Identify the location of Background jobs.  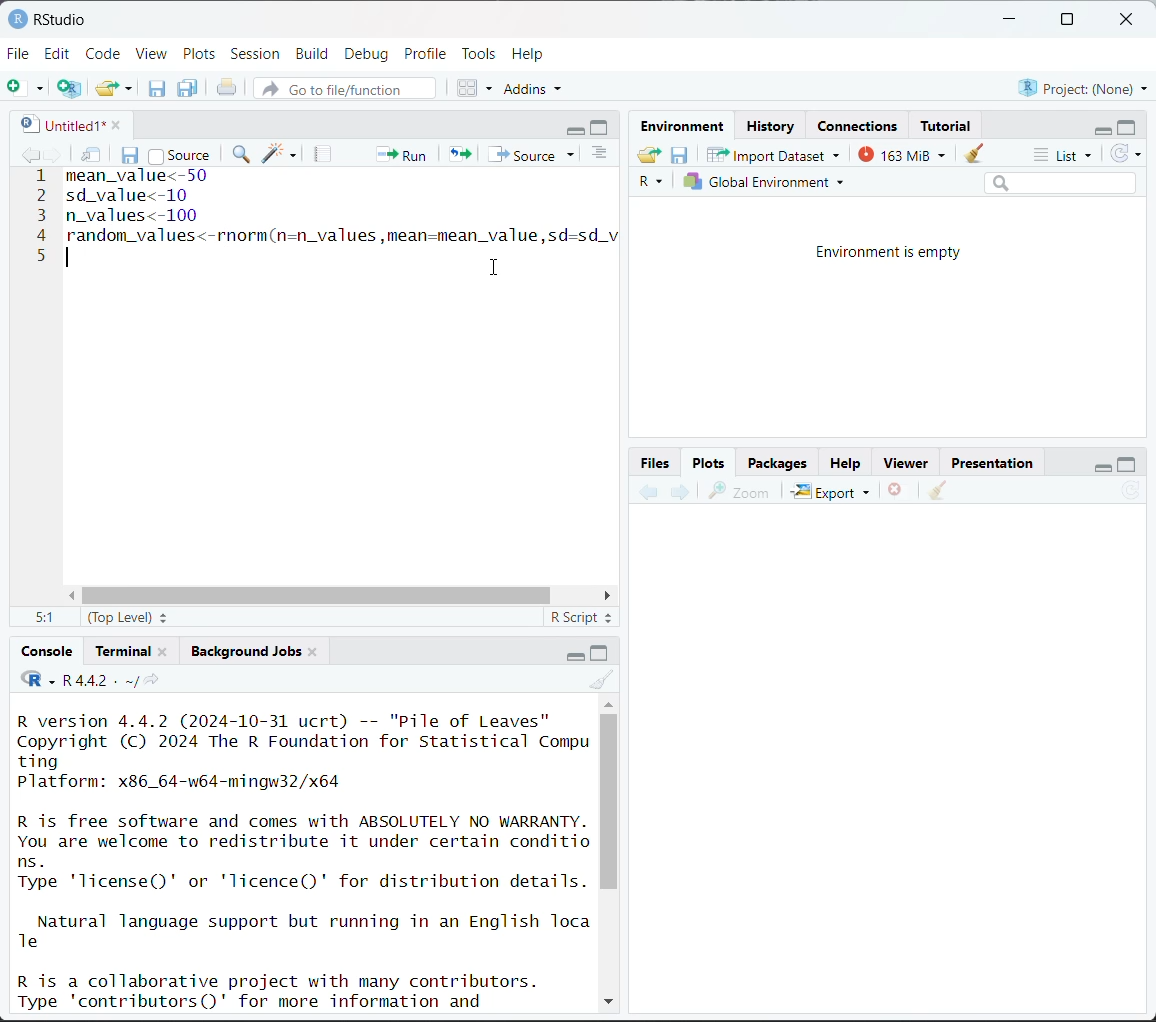
(246, 651).